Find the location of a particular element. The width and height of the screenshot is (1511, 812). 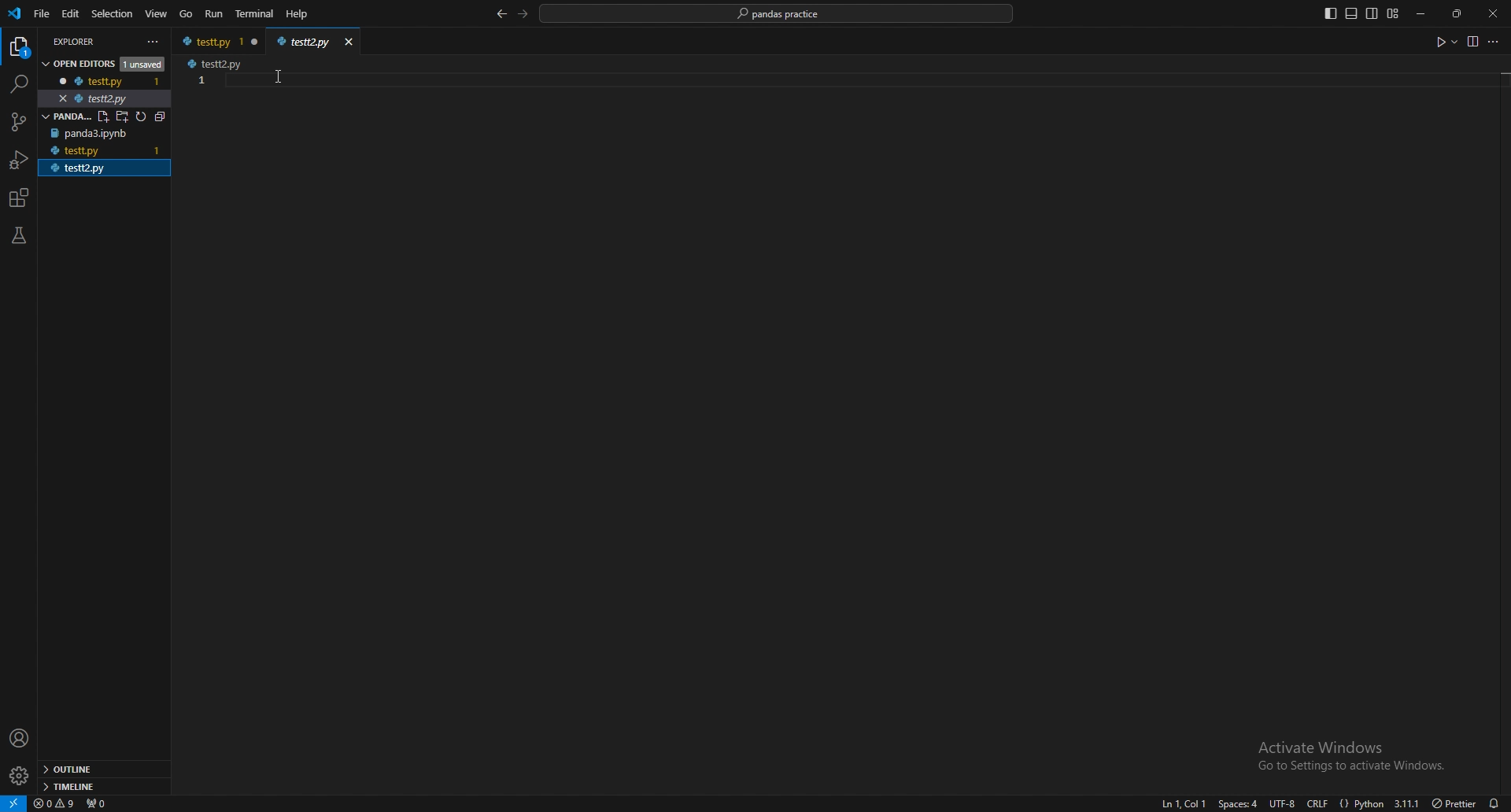

scale is located at coordinates (201, 94).